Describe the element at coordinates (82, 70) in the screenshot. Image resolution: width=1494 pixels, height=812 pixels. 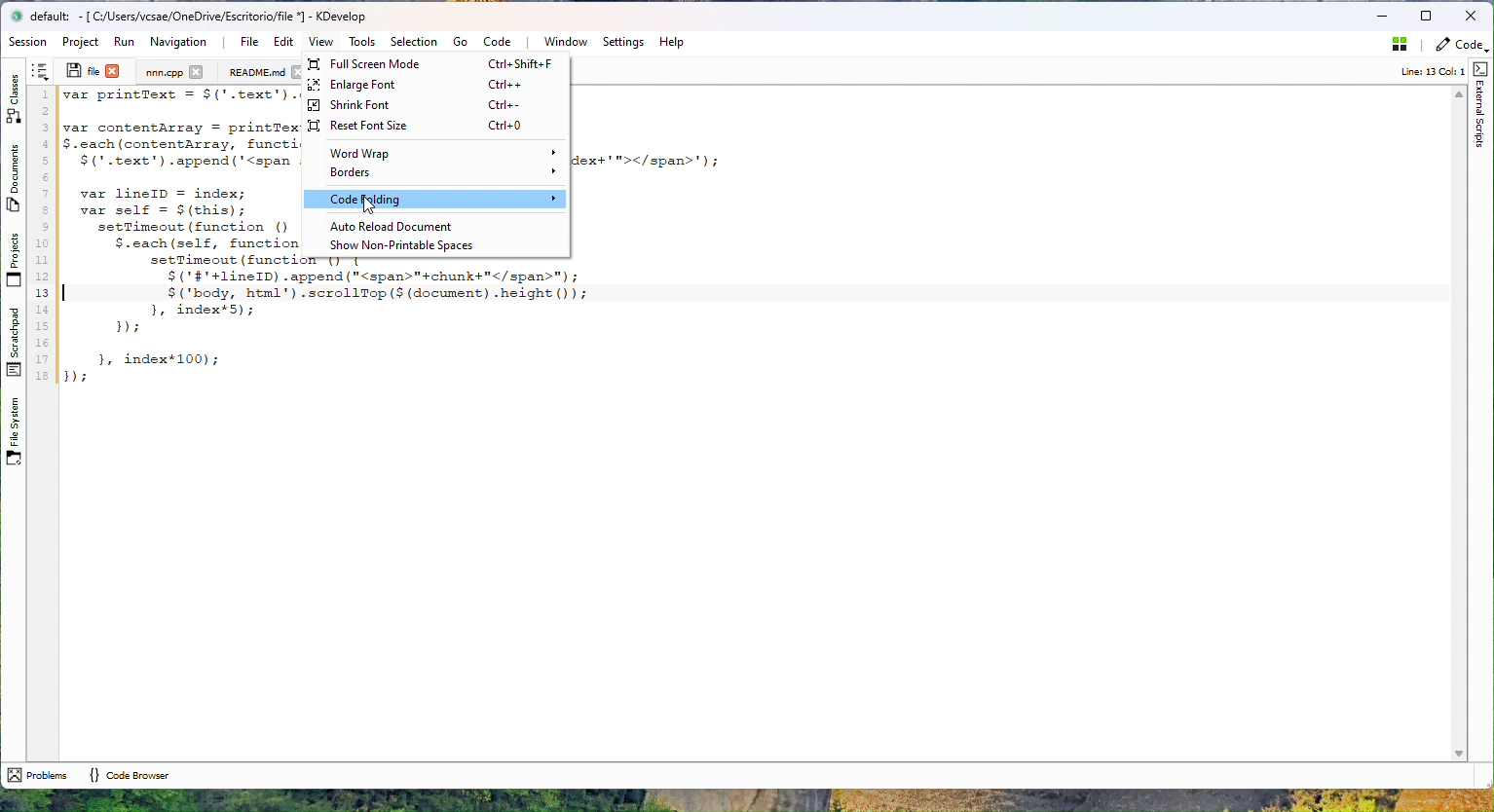
I see `File` at that location.